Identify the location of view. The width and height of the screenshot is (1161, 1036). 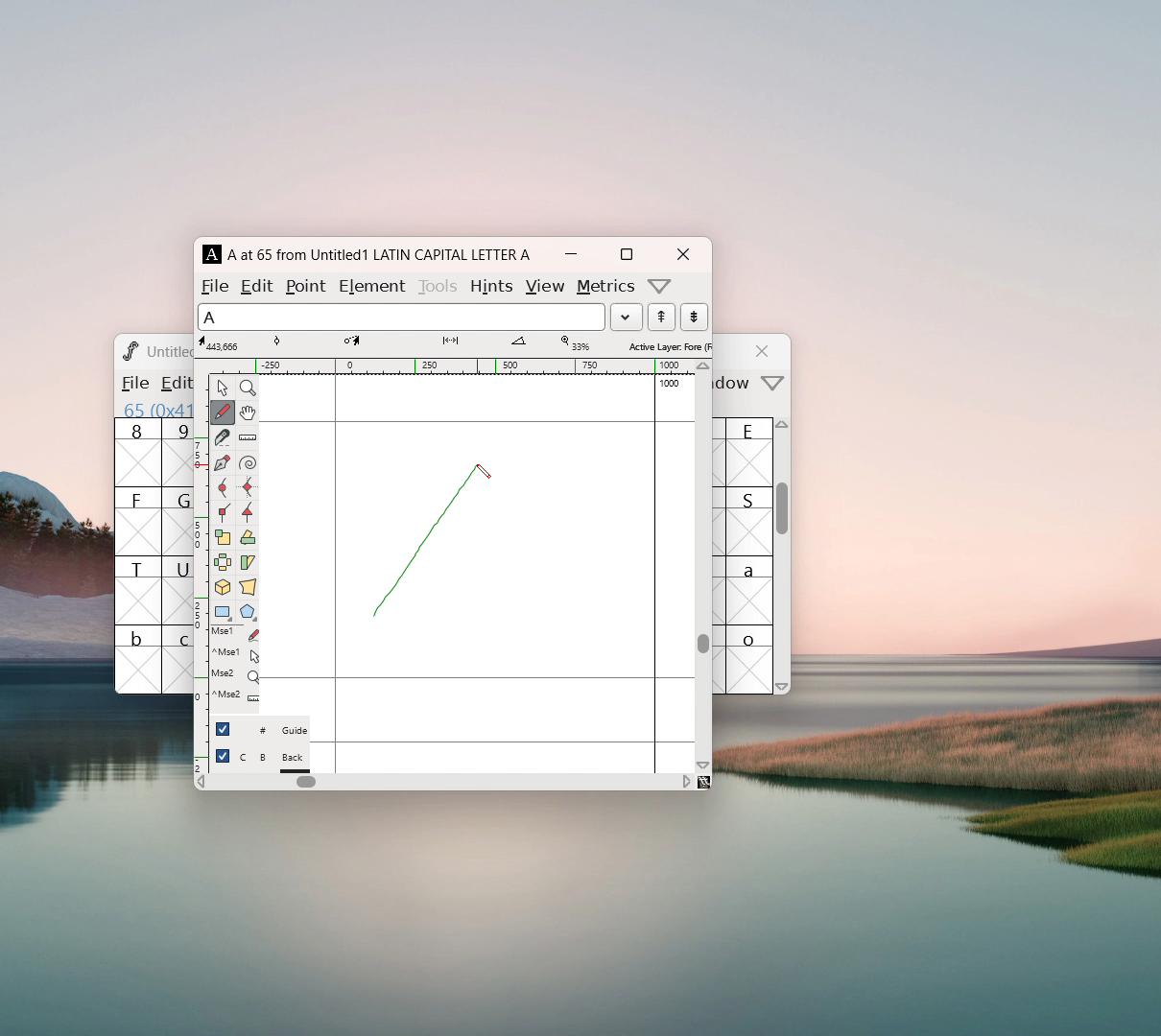
(544, 287).